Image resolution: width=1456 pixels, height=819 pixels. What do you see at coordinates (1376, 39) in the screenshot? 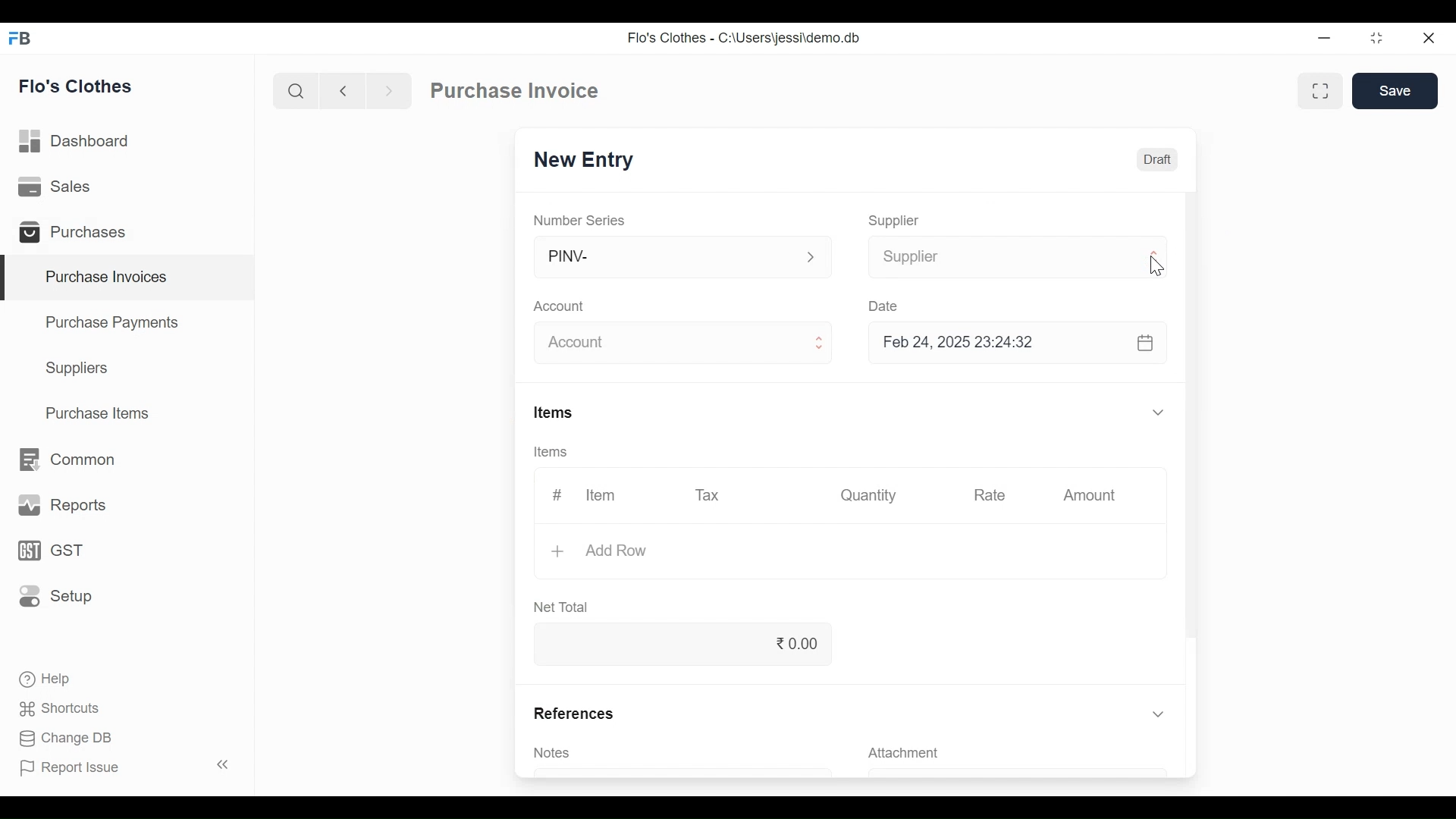
I see `Restore` at bounding box center [1376, 39].